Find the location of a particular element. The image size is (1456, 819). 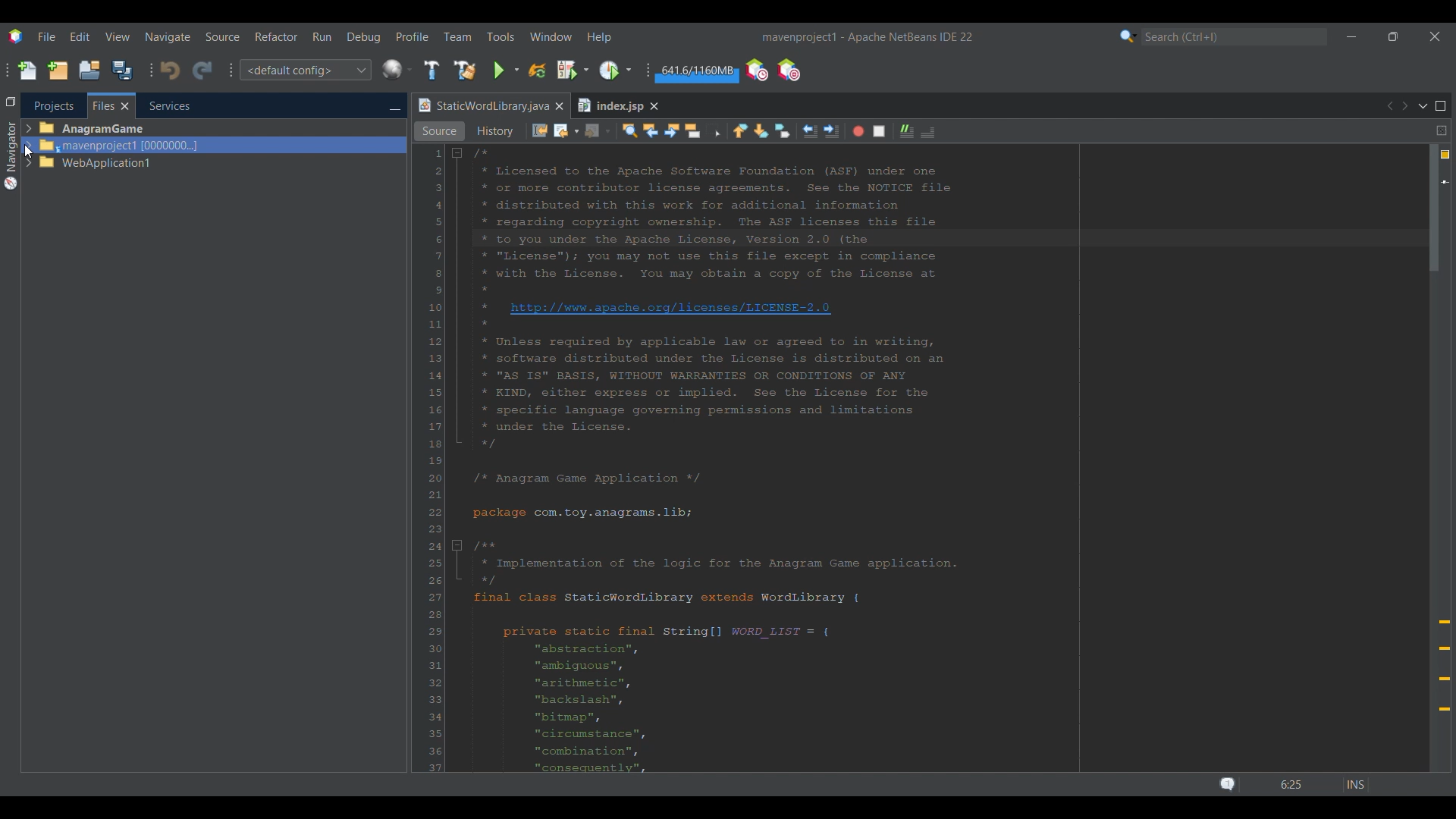

Previous is located at coordinates (1389, 106).